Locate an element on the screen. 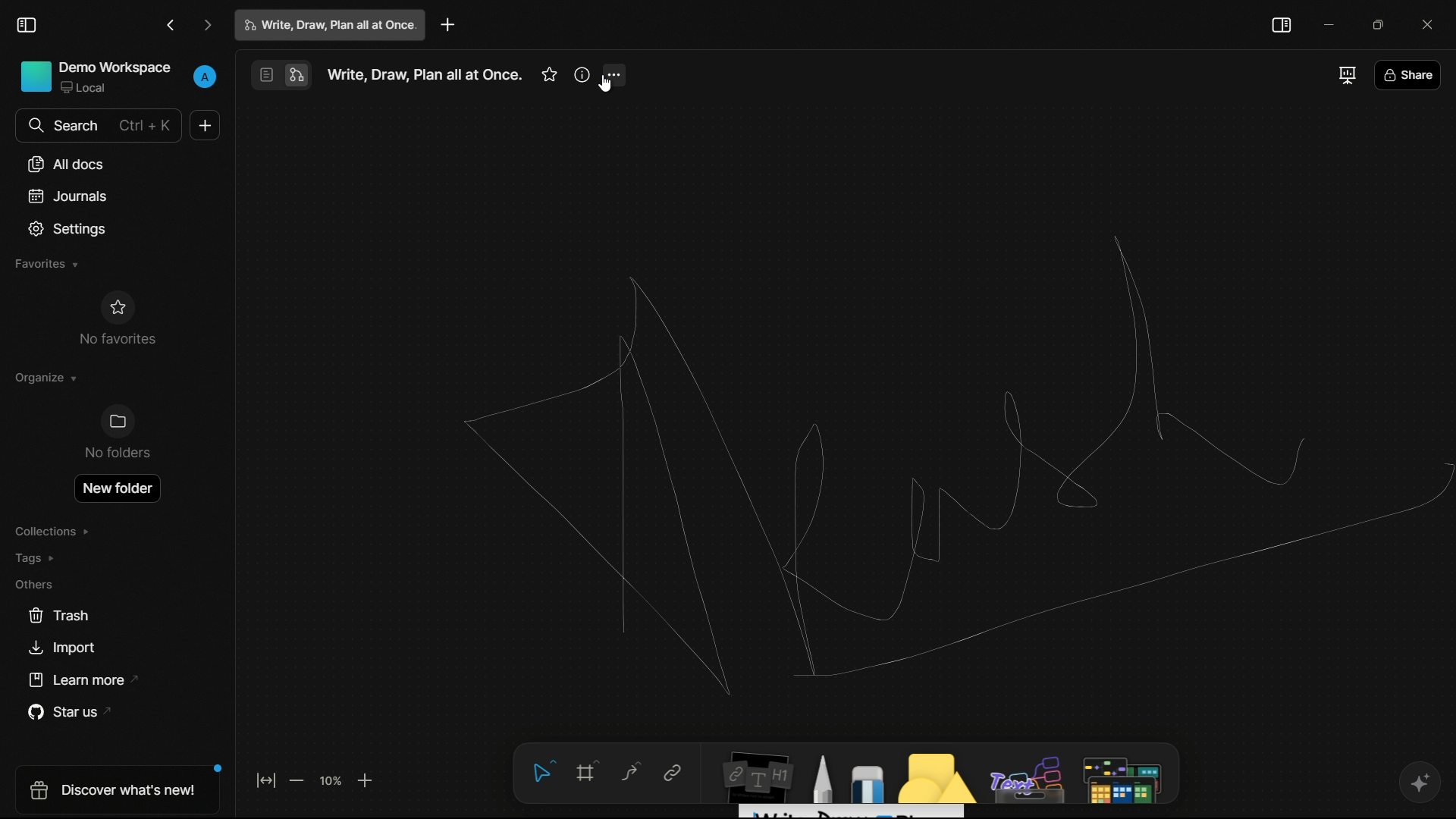 The image size is (1456, 819). Local is located at coordinates (95, 87).